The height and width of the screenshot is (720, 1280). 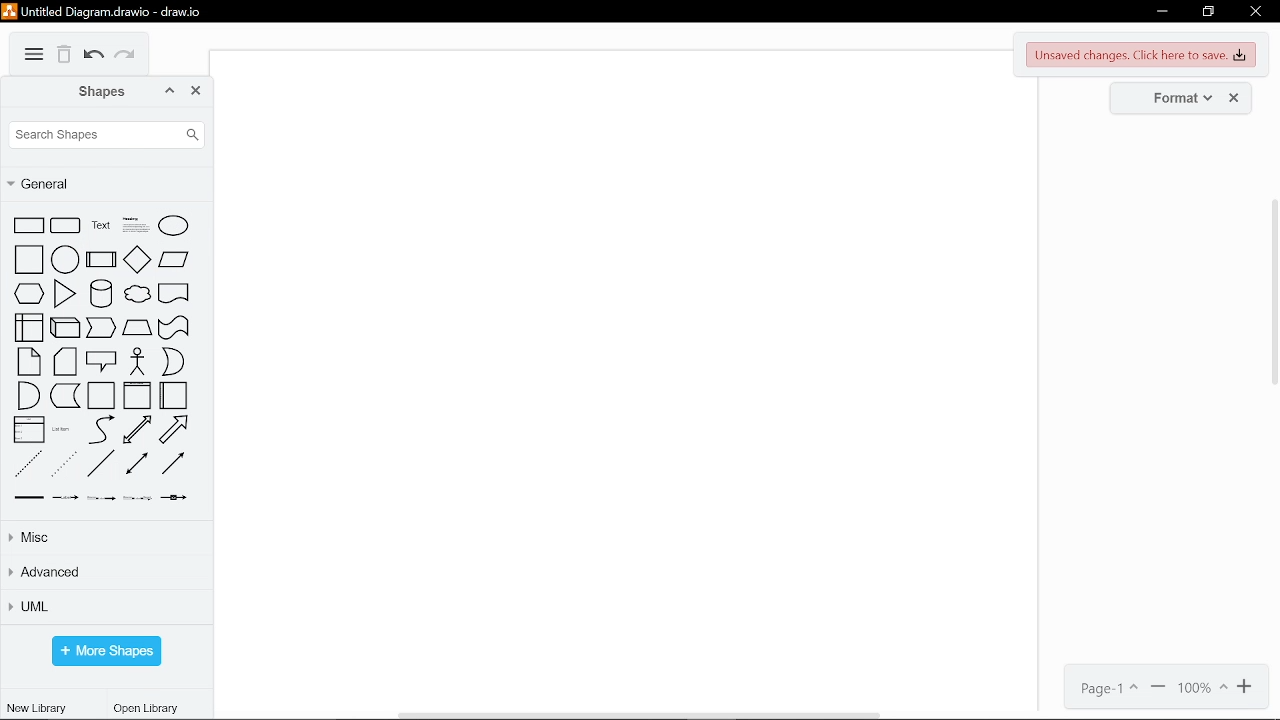 What do you see at coordinates (28, 226) in the screenshot?
I see `rectangle` at bounding box center [28, 226].